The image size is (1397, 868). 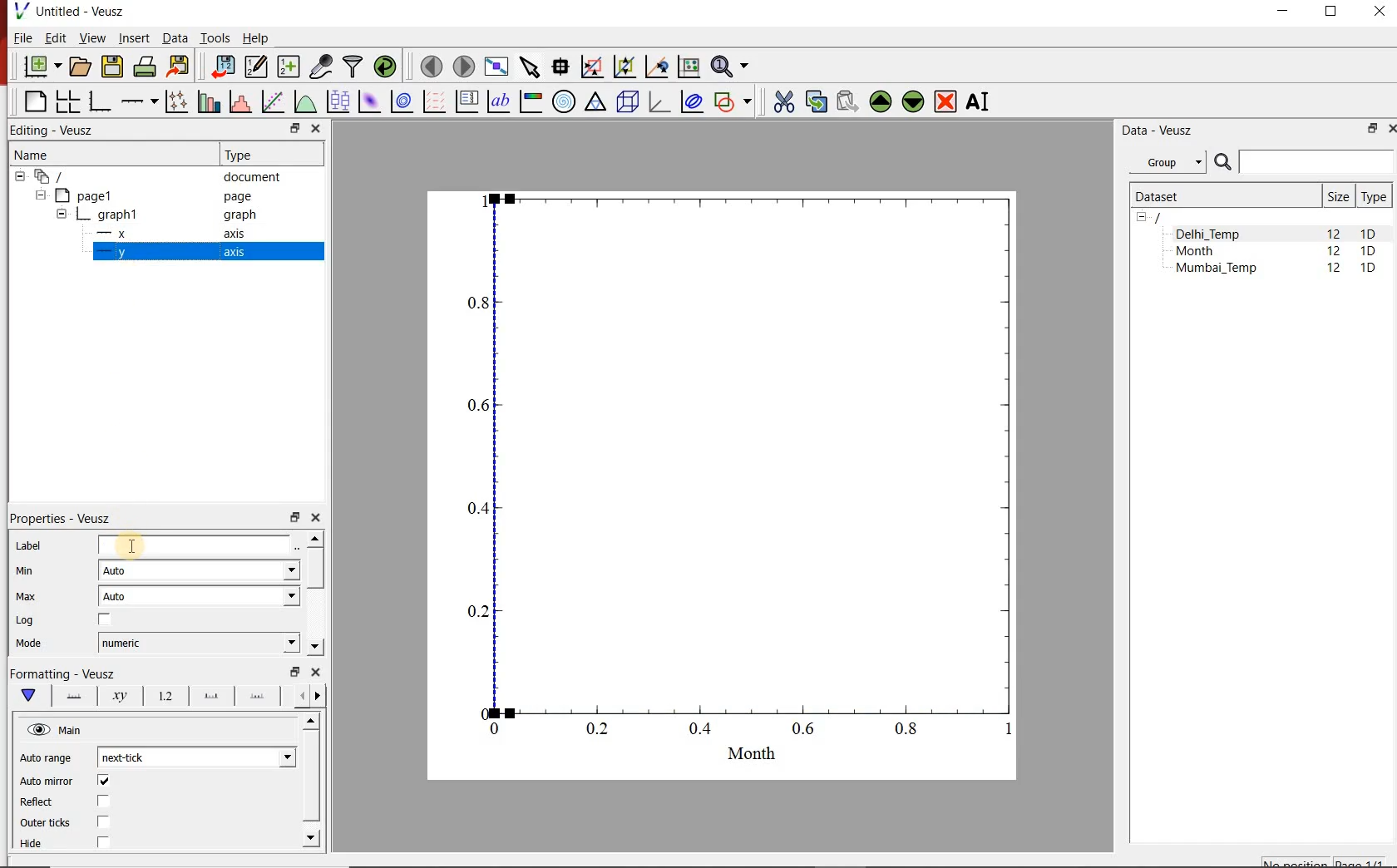 What do you see at coordinates (102, 844) in the screenshot?
I see `check/uncheck` at bounding box center [102, 844].